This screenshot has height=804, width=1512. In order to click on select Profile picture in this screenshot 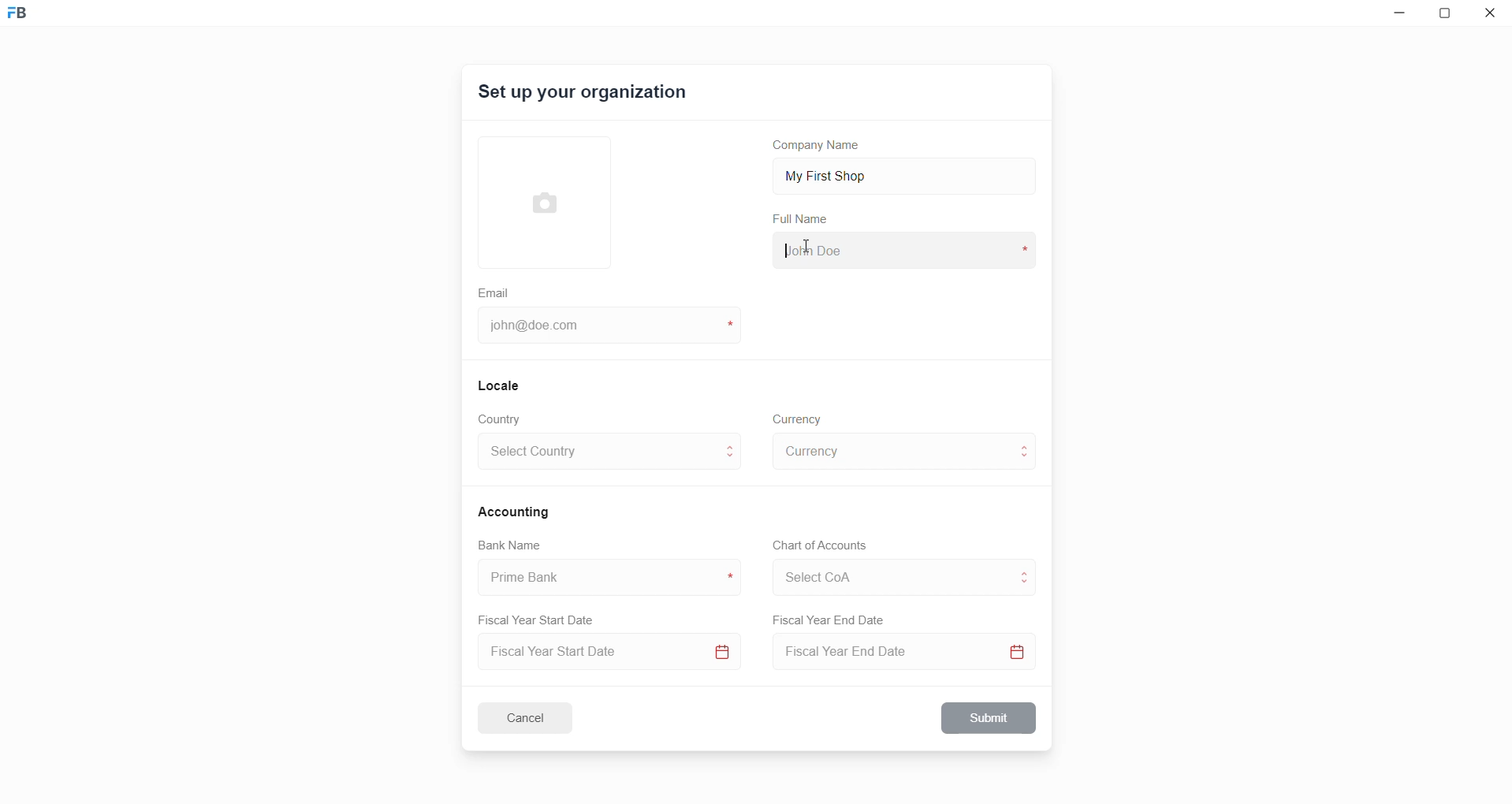, I will do `click(537, 200)`.